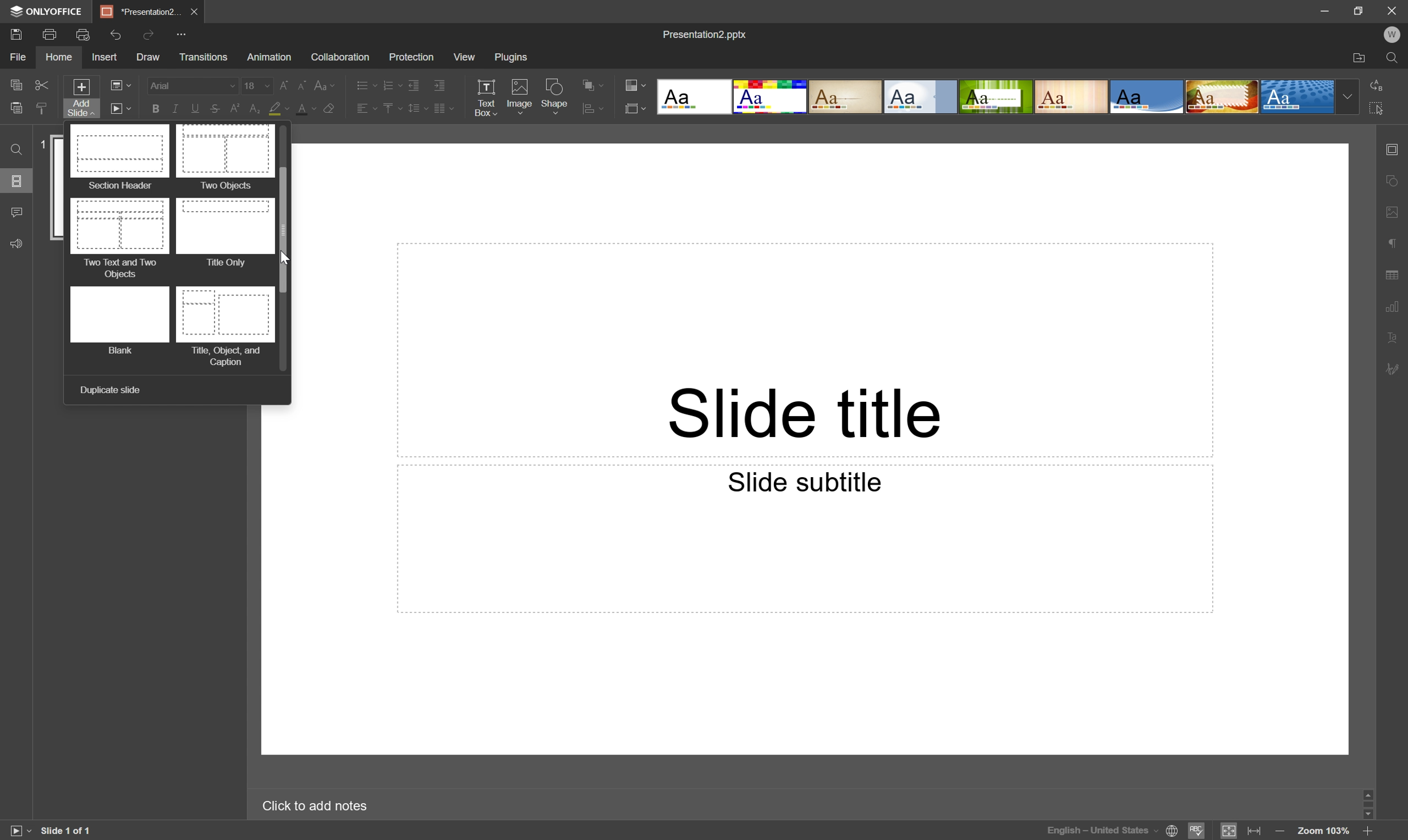 The image size is (1408, 840). What do you see at coordinates (1364, 811) in the screenshot?
I see `Scroll Down` at bounding box center [1364, 811].